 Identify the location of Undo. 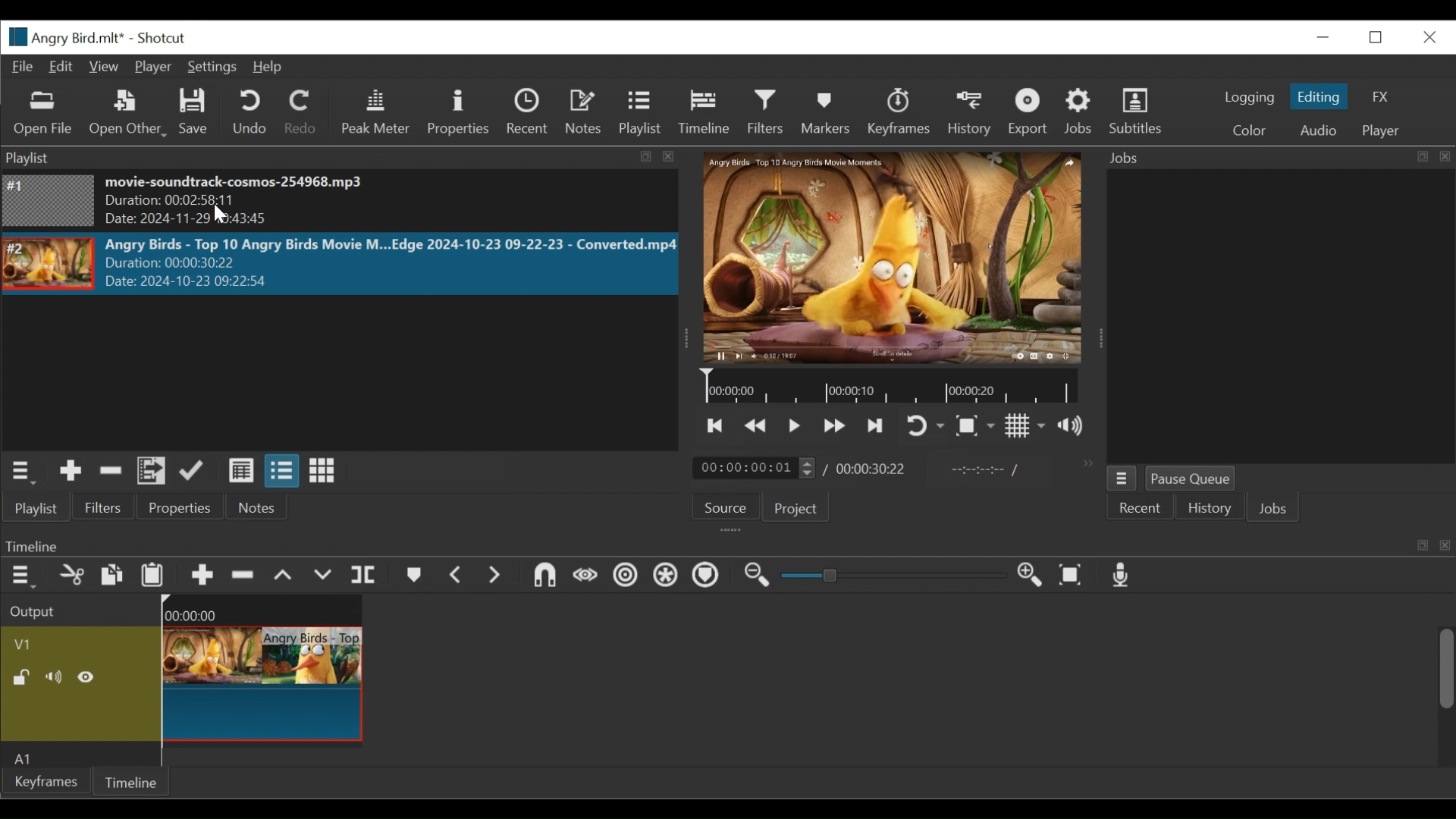
(251, 112).